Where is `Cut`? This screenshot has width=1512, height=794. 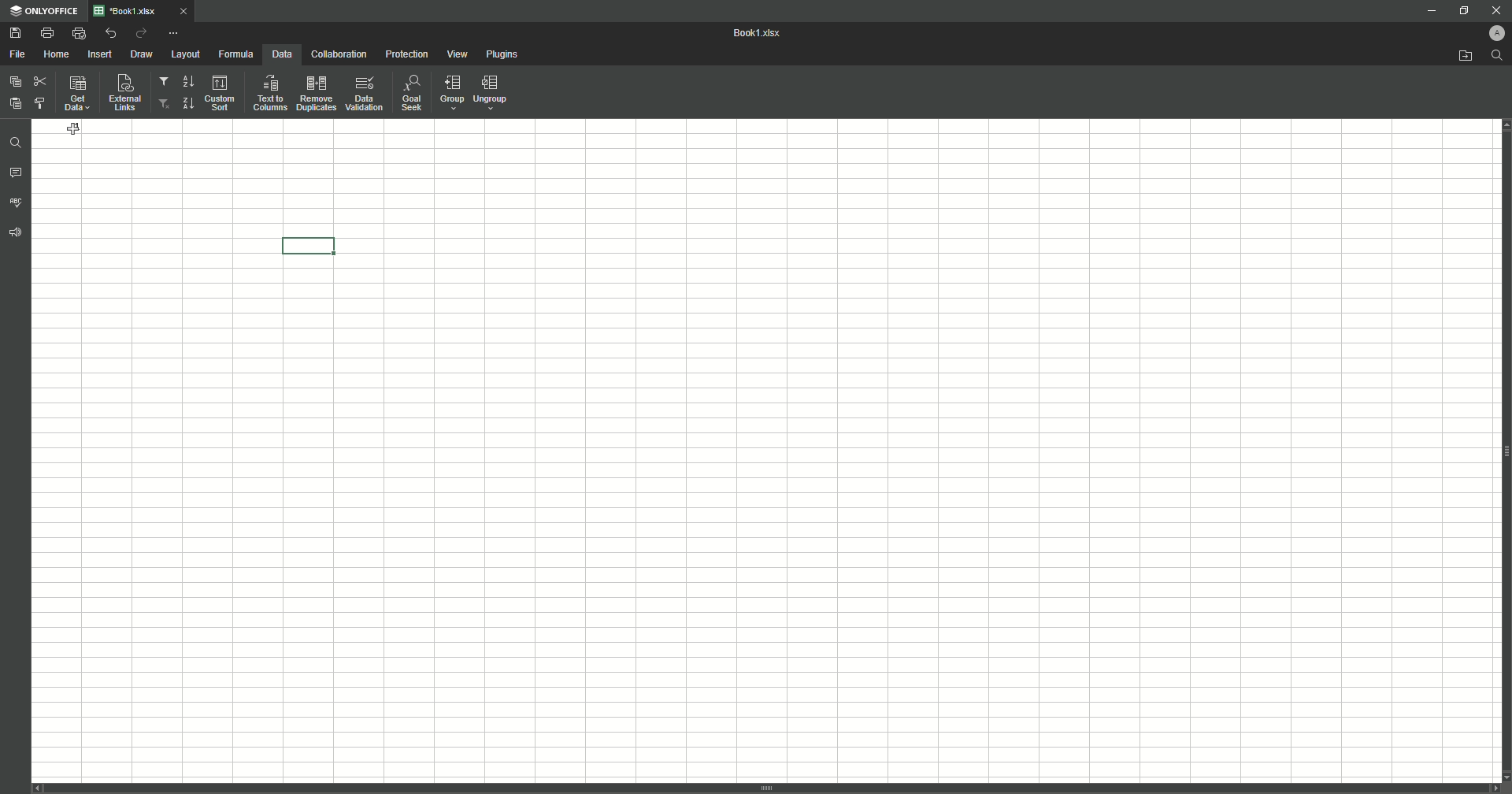 Cut is located at coordinates (39, 79).